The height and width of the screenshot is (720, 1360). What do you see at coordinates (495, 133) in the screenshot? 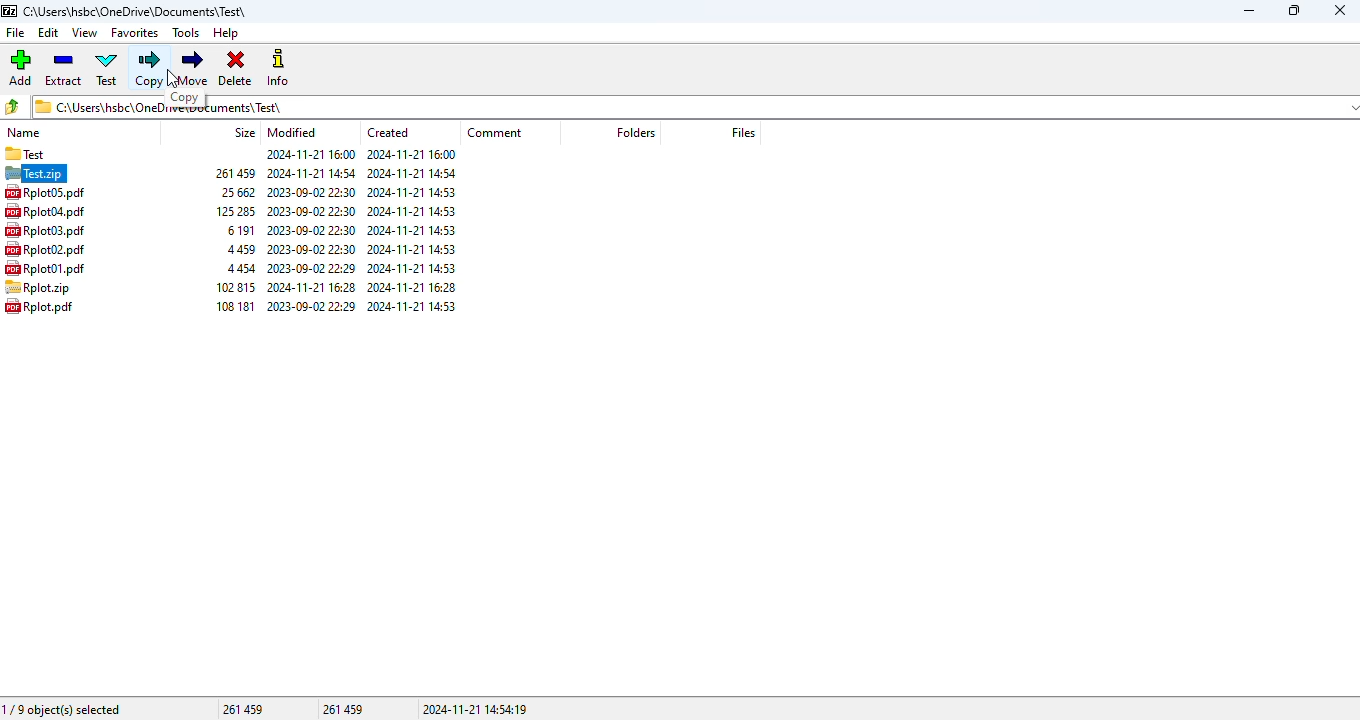
I see `comment` at bounding box center [495, 133].